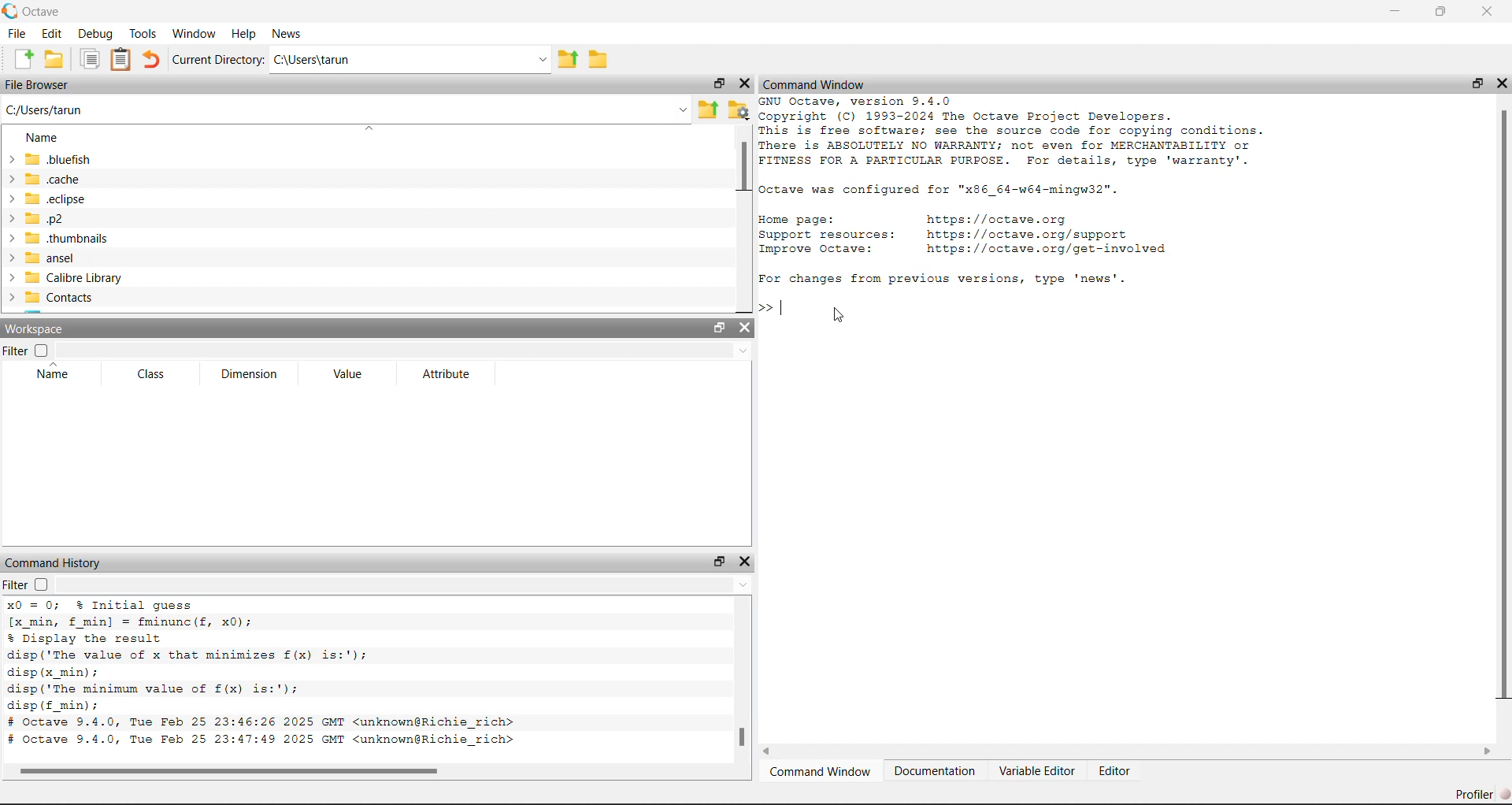 The width and height of the screenshot is (1512, 805). What do you see at coordinates (141, 31) in the screenshot?
I see `Tools` at bounding box center [141, 31].